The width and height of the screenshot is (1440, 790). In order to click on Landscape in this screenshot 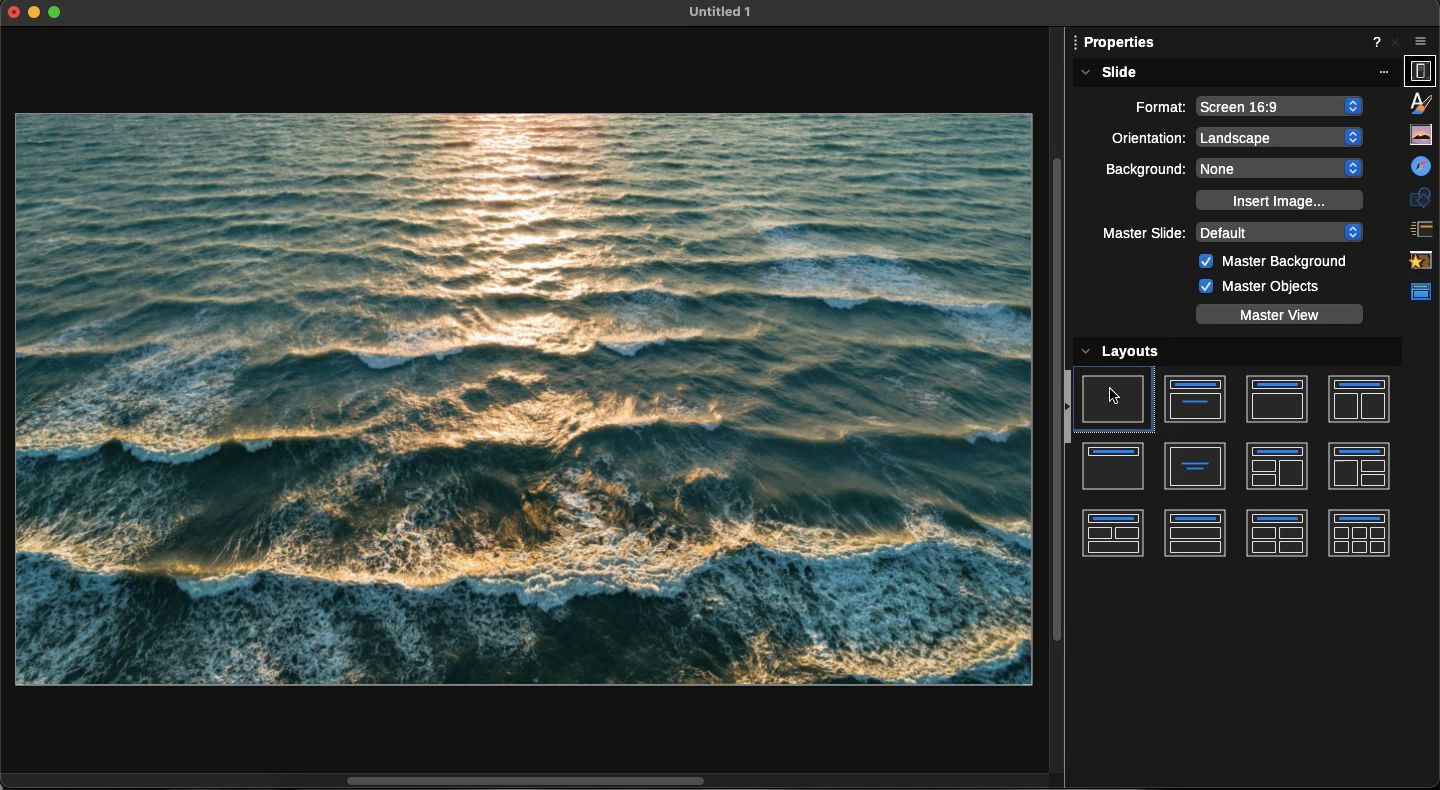, I will do `click(1282, 137)`.